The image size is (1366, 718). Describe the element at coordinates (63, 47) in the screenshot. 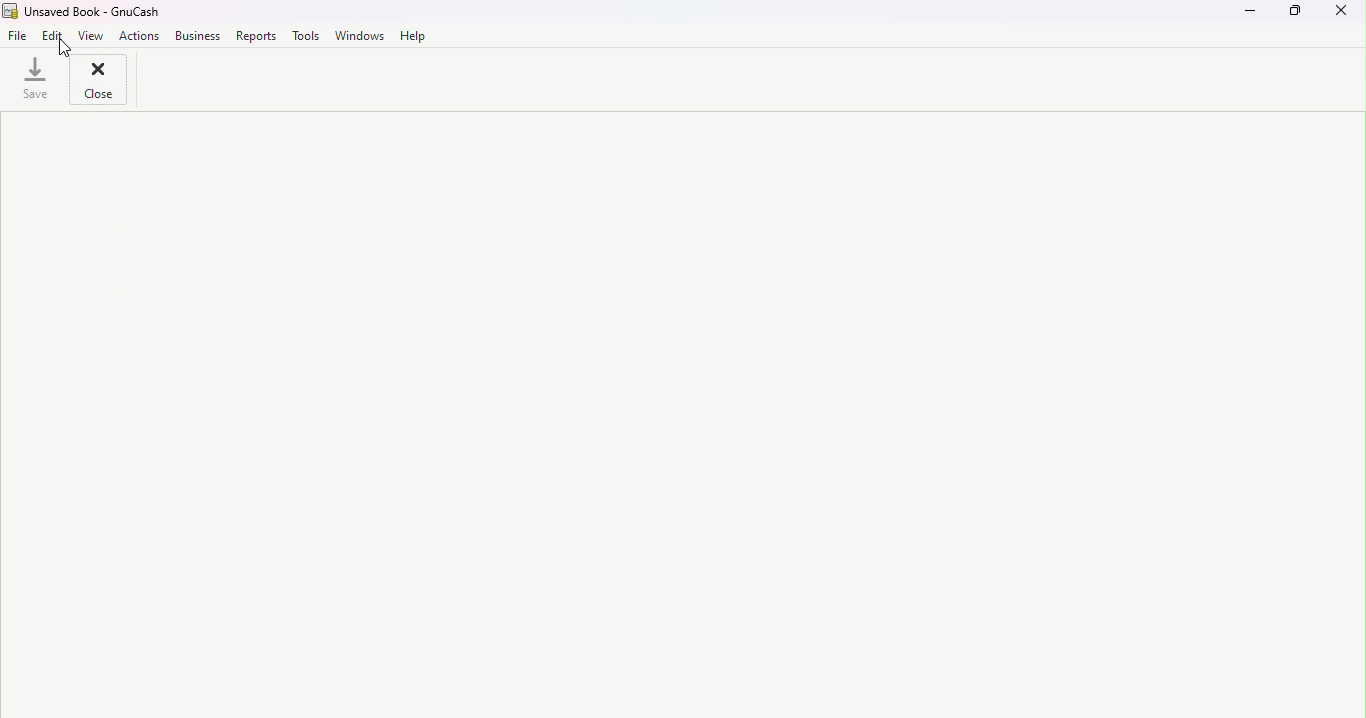

I see `cursor` at that location.